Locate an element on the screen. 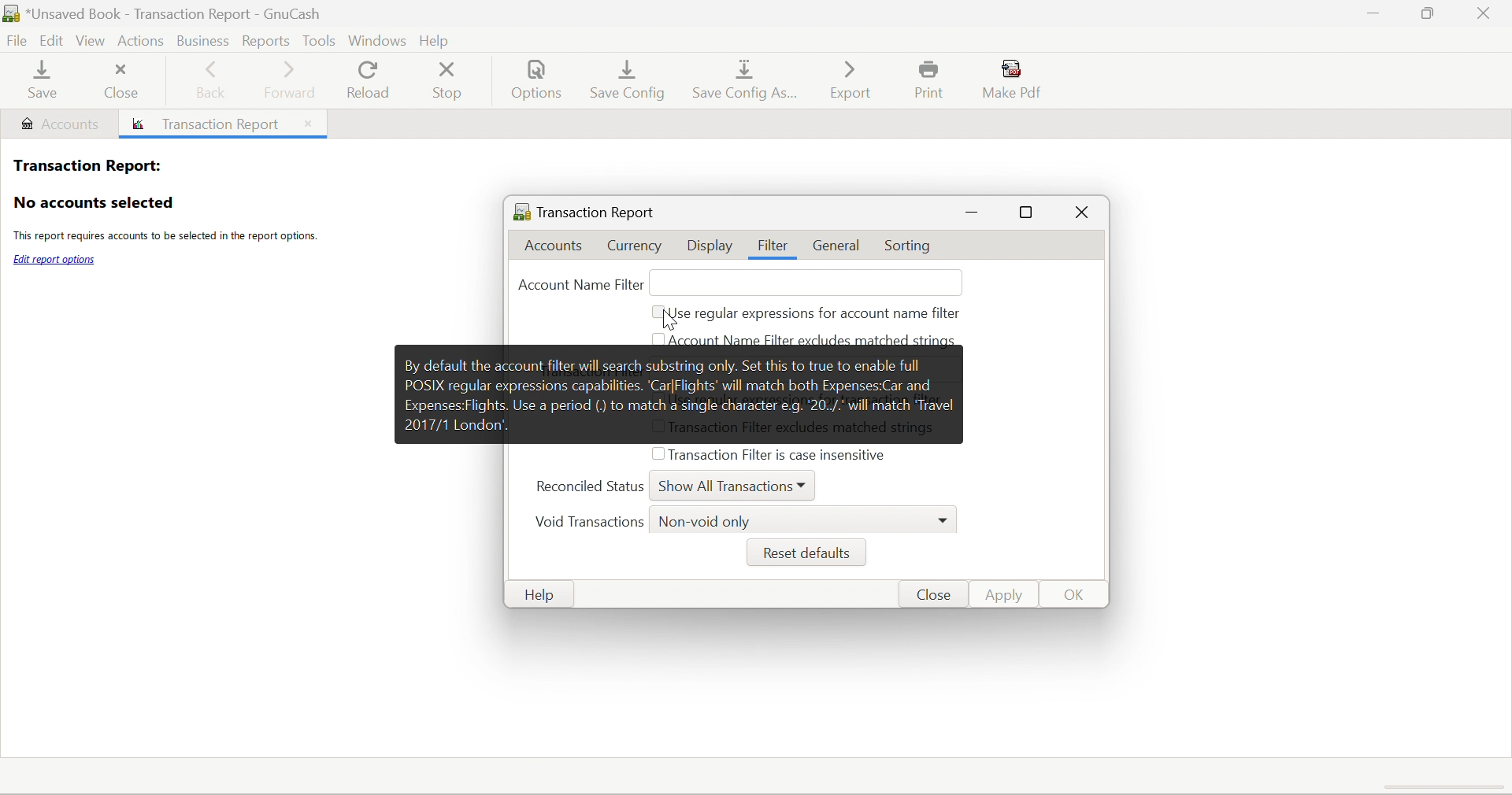 This screenshot has width=1512, height=795. OK is located at coordinates (1076, 596).